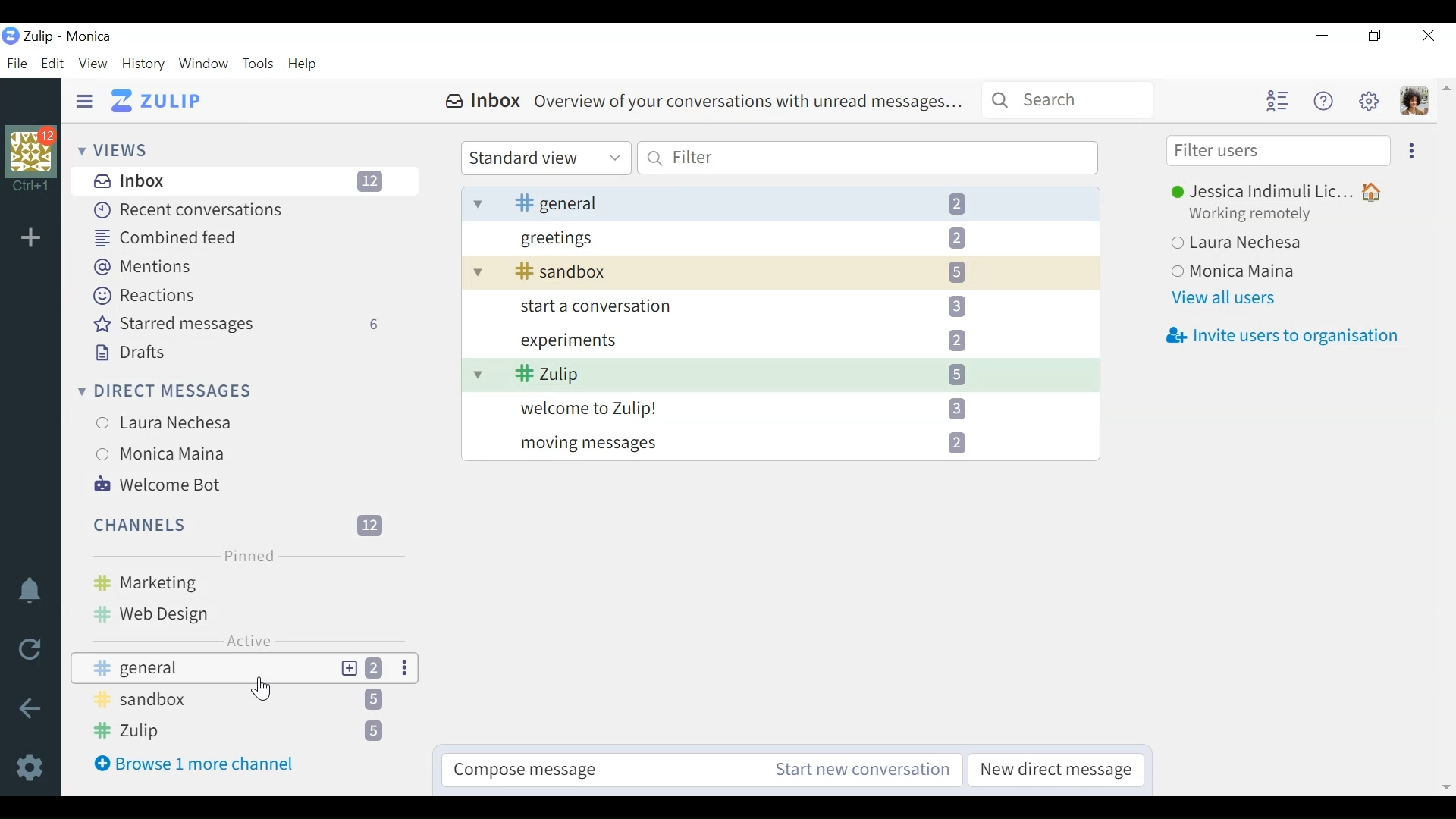 Image resolution: width=1456 pixels, height=819 pixels. Describe the element at coordinates (863, 770) in the screenshot. I see `Start new conversation` at that location.